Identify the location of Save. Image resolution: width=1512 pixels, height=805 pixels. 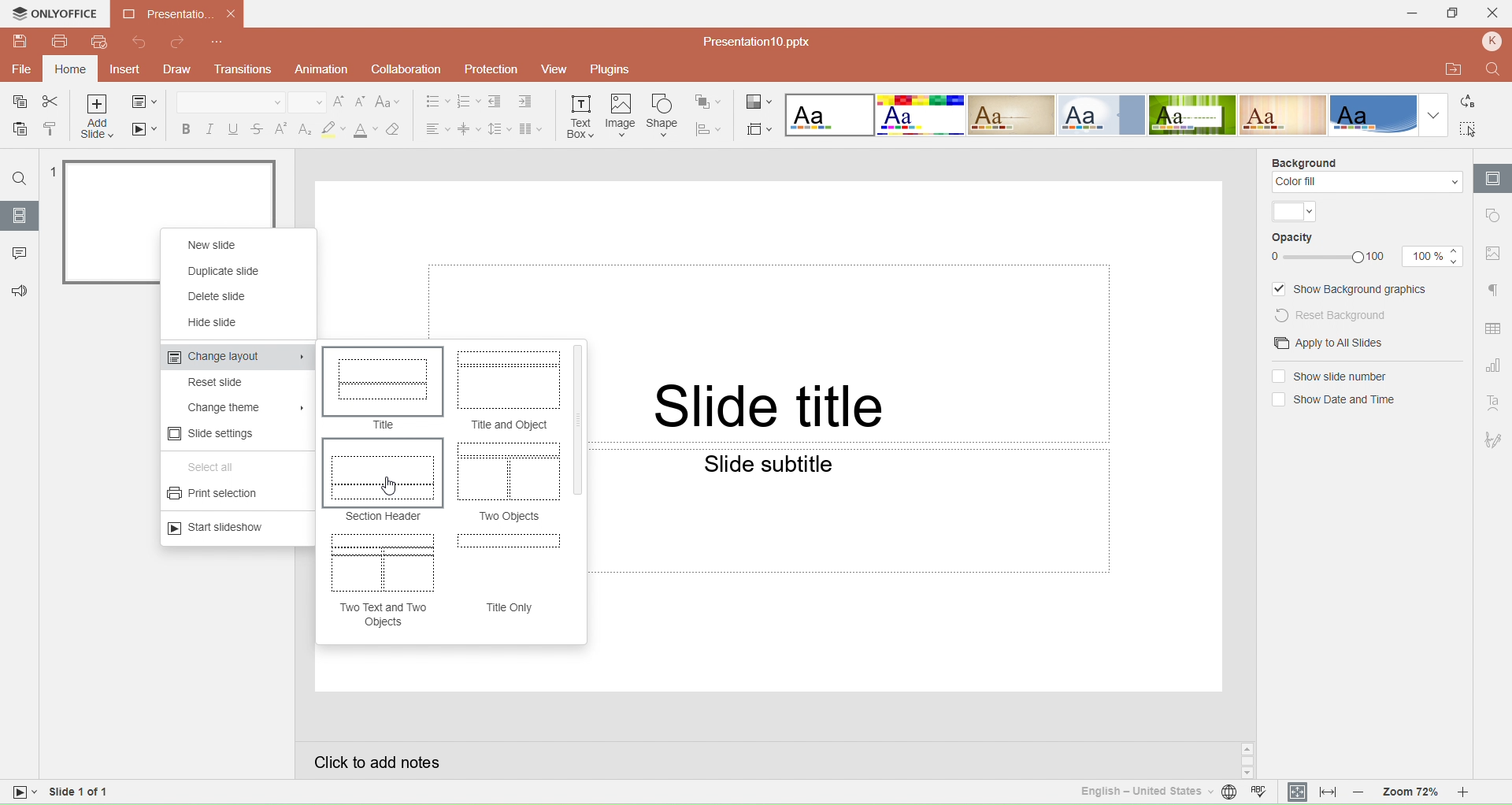
(20, 43).